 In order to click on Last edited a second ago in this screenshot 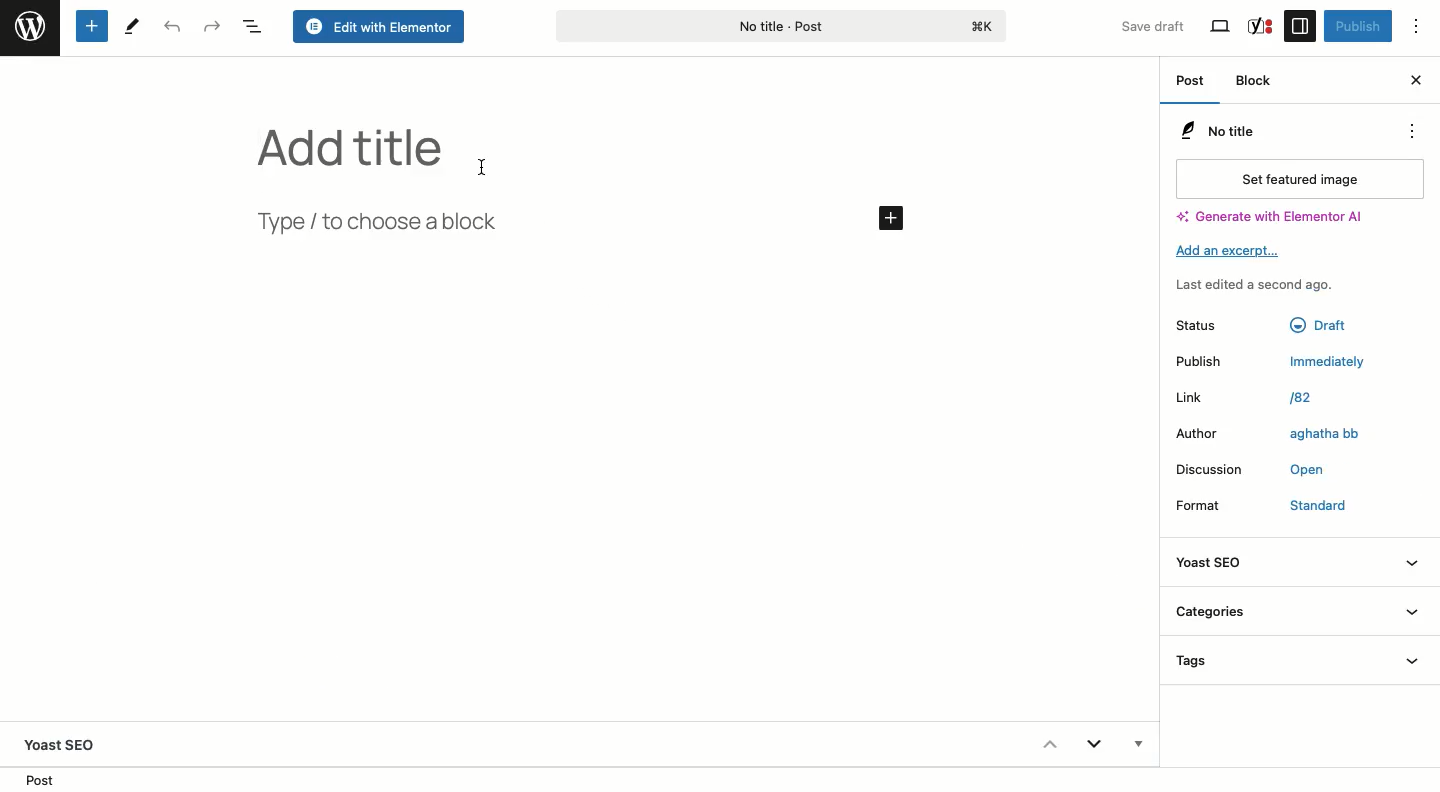, I will do `click(1255, 285)`.